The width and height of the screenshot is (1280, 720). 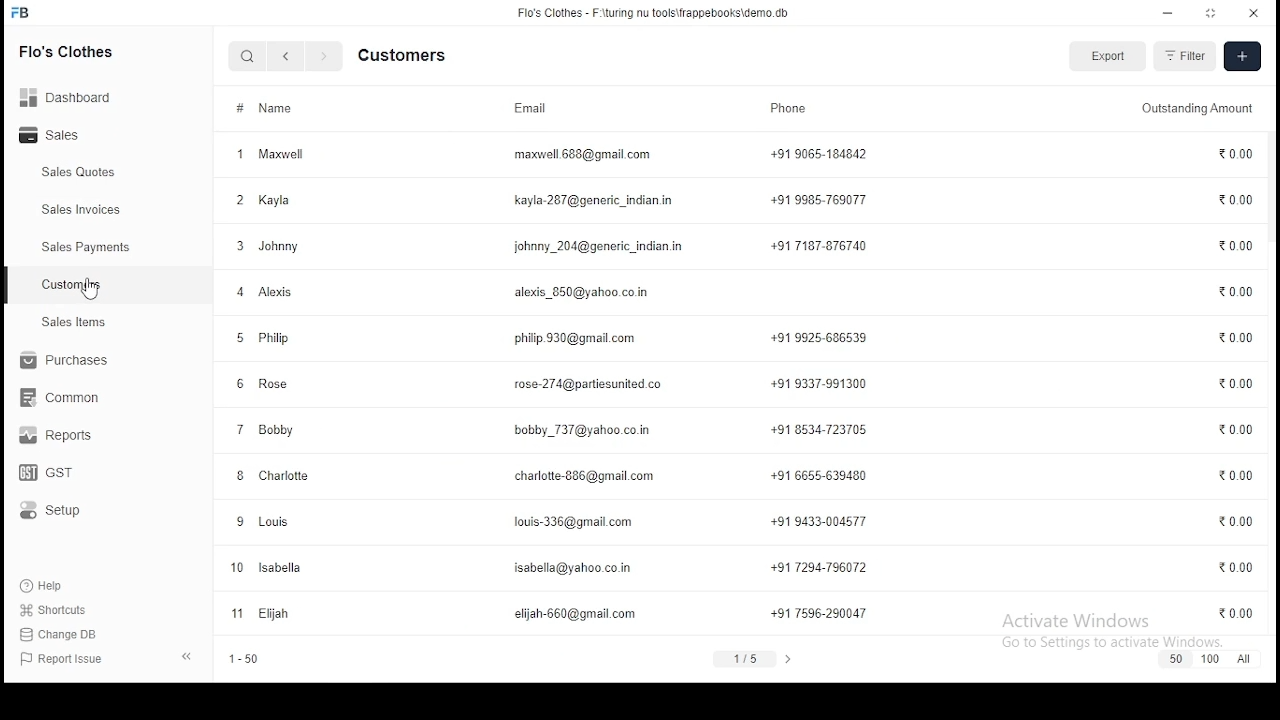 What do you see at coordinates (663, 13) in the screenshot?
I see `flo's clothes - F:\turing nu tools\frappebooks\demo.db` at bounding box center [663, 13].